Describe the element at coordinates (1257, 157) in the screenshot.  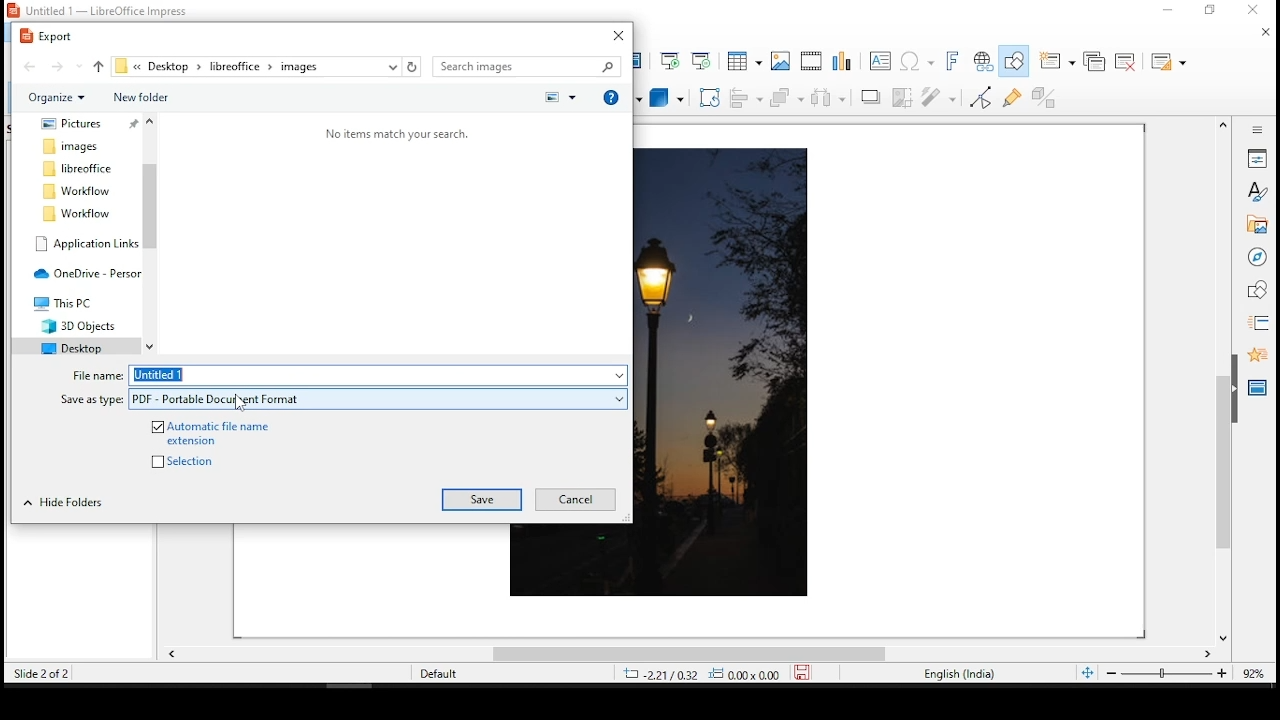
I see `properties ` at that location.